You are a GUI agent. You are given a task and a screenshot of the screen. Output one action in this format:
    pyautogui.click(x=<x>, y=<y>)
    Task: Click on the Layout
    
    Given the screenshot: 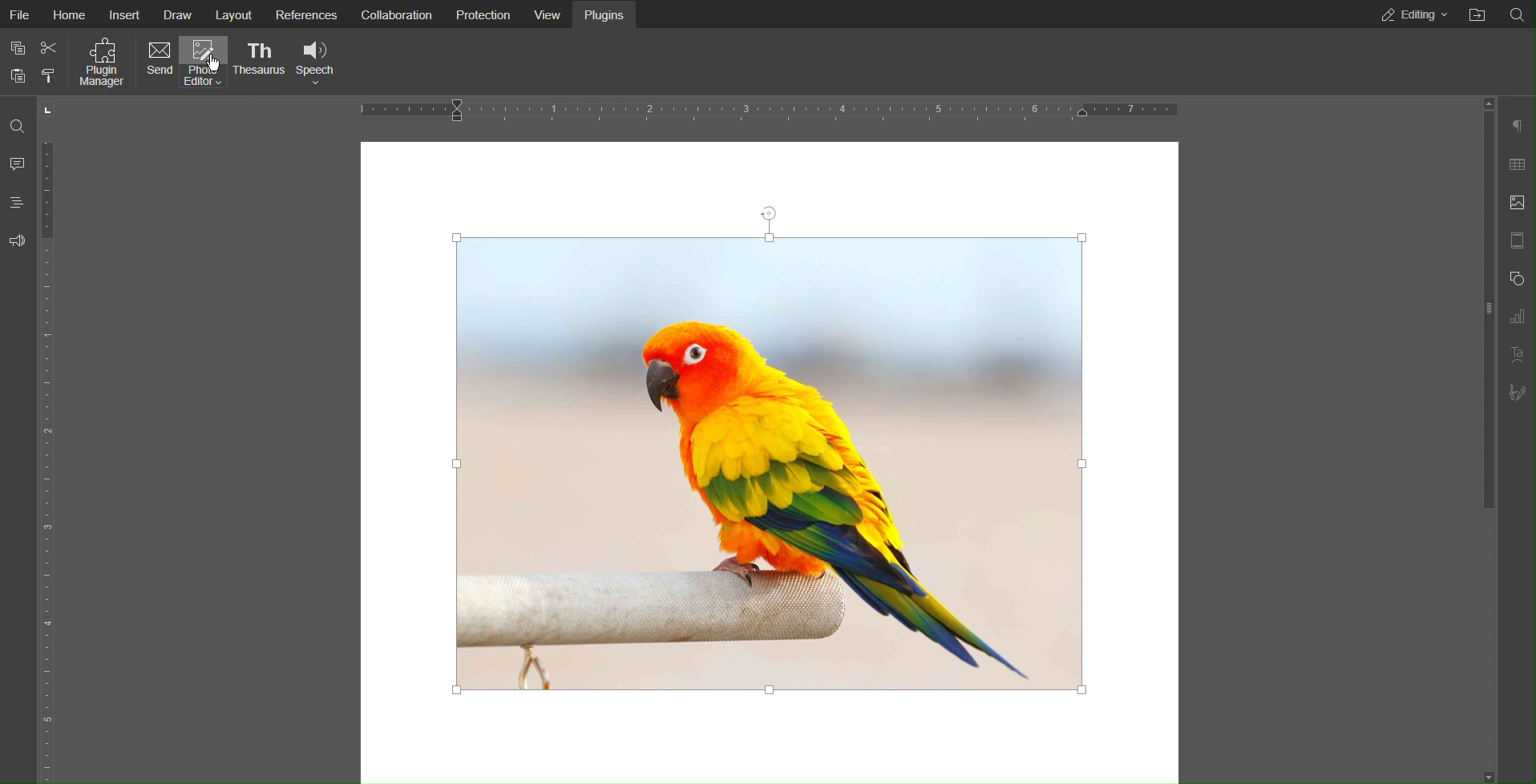 What is the action you would take?
    pyautogui.click(x=234, y=14)
    